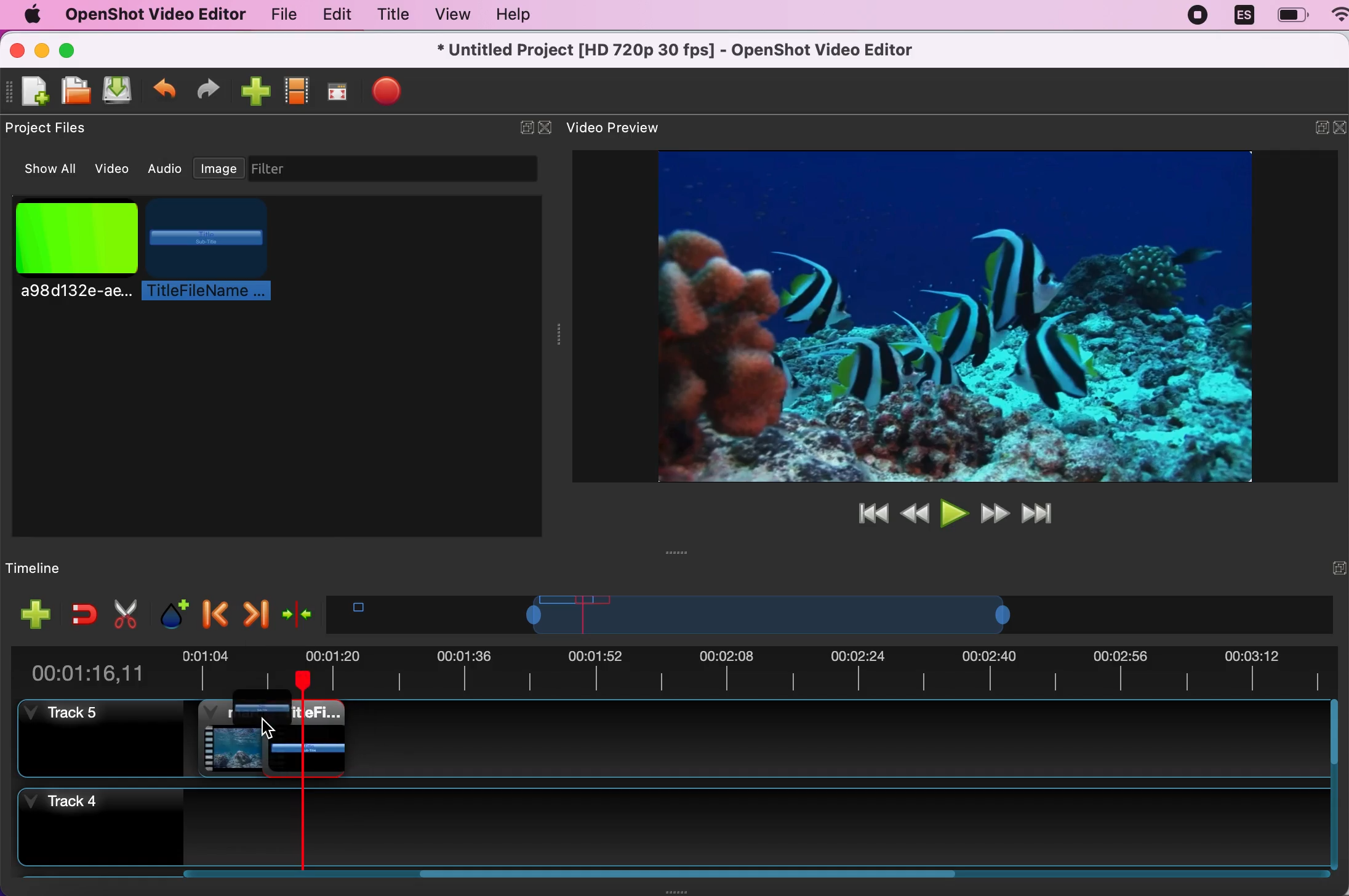 The height and width of the screenshot is (896, 1349). I want to click on close, so click(1340, 130).